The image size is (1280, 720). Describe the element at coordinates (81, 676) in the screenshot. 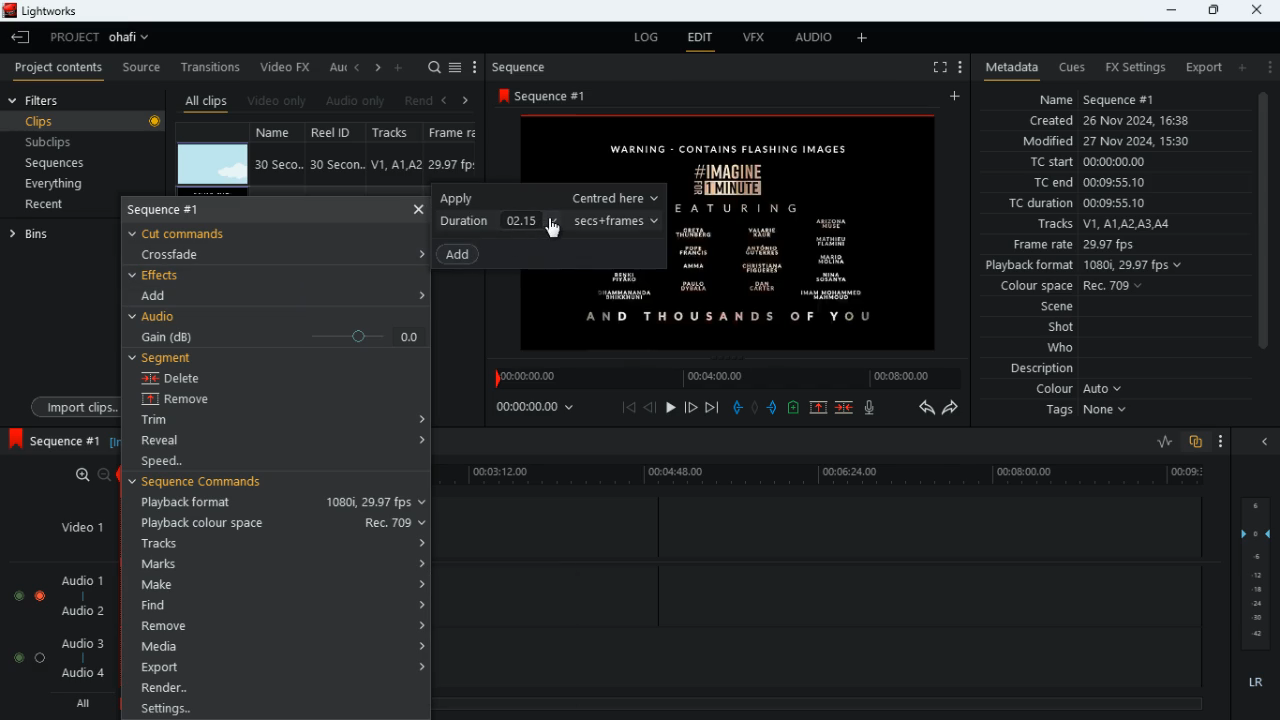

I see `audio 4` at that location.